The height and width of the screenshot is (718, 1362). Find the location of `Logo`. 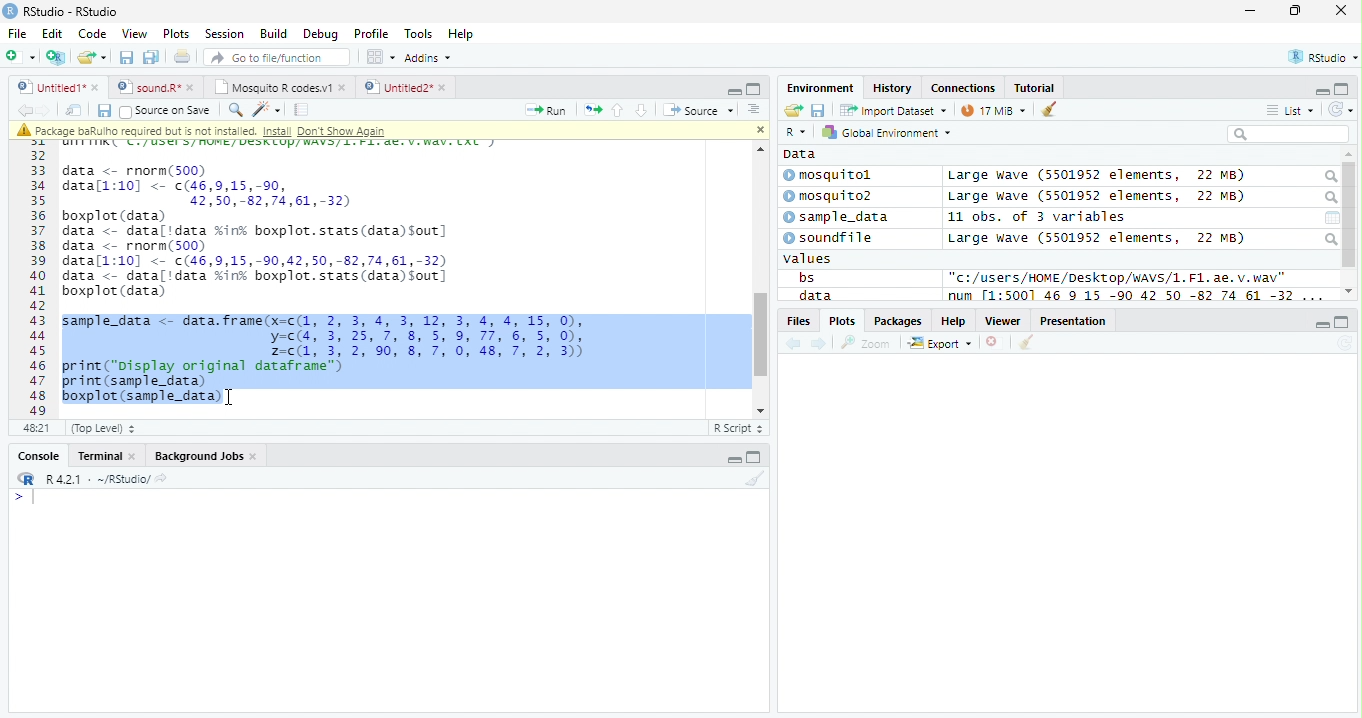

Logo is located at coordinates (11, 11).